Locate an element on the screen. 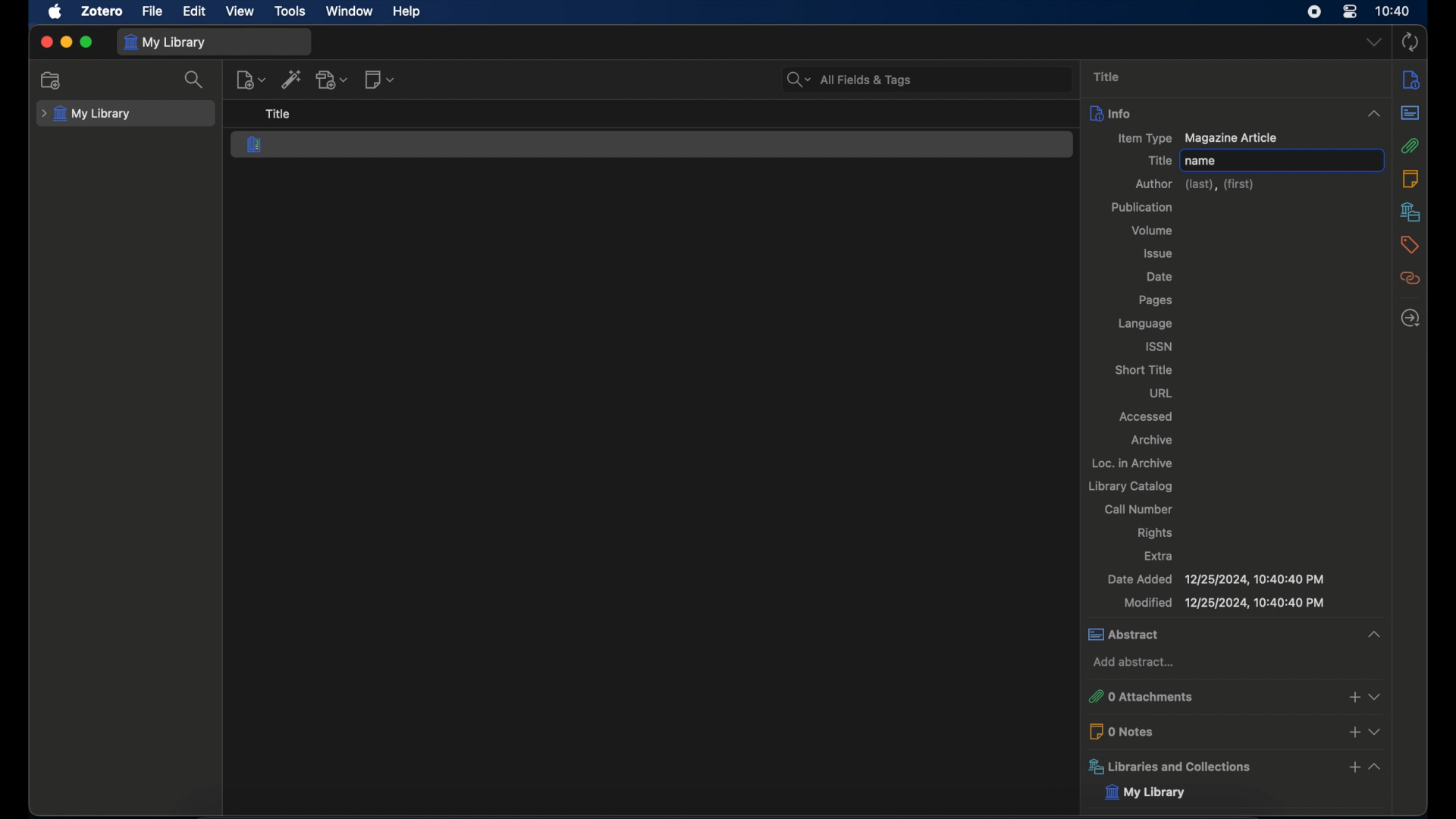 The height and width of the screenshot is (819, 1456). author is located at coordinates (1196, 184).